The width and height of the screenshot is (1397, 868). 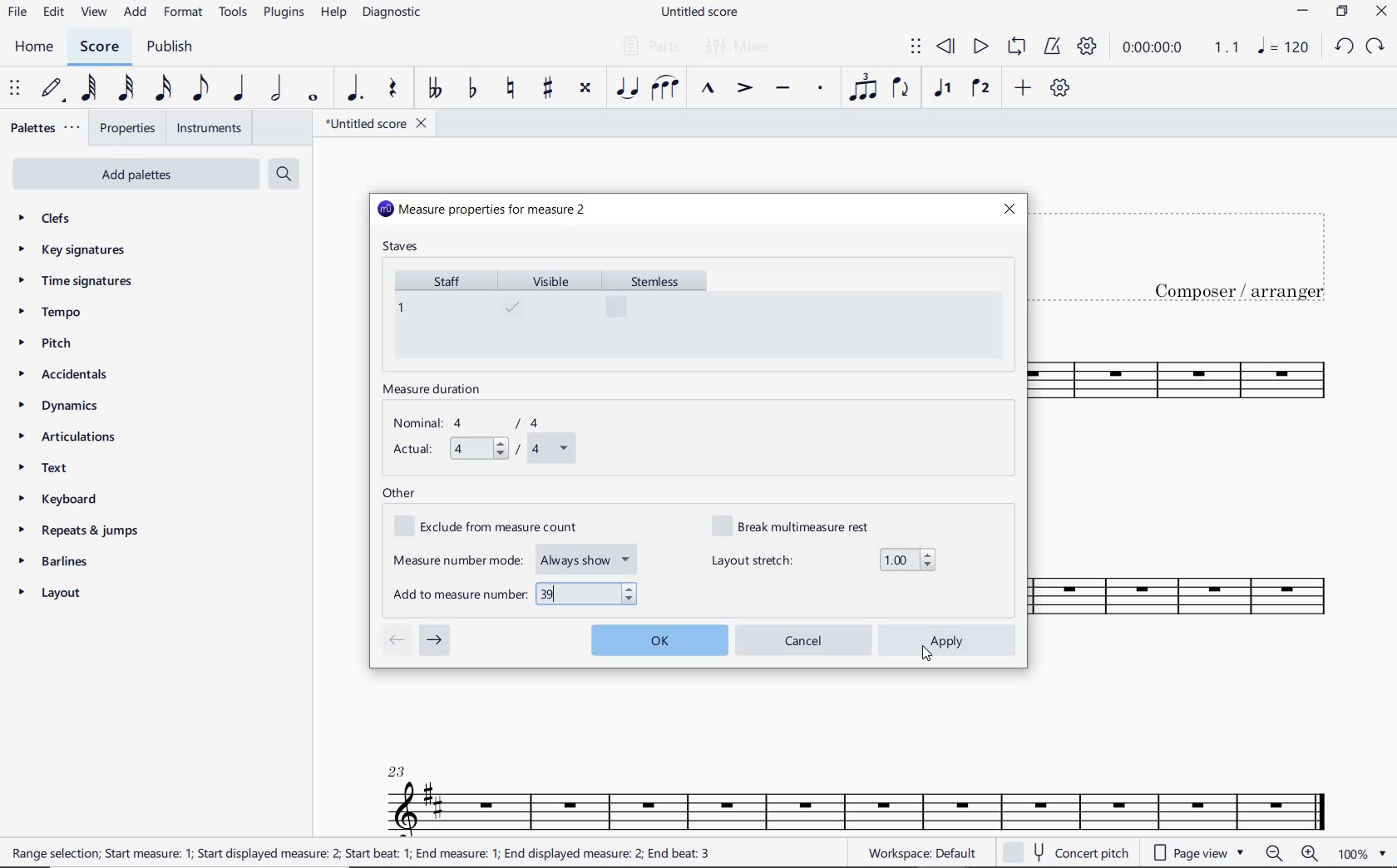 What do you see at coordinates (399, 494) in the screenshot?
I see `other` at bounding box center [399, 494].